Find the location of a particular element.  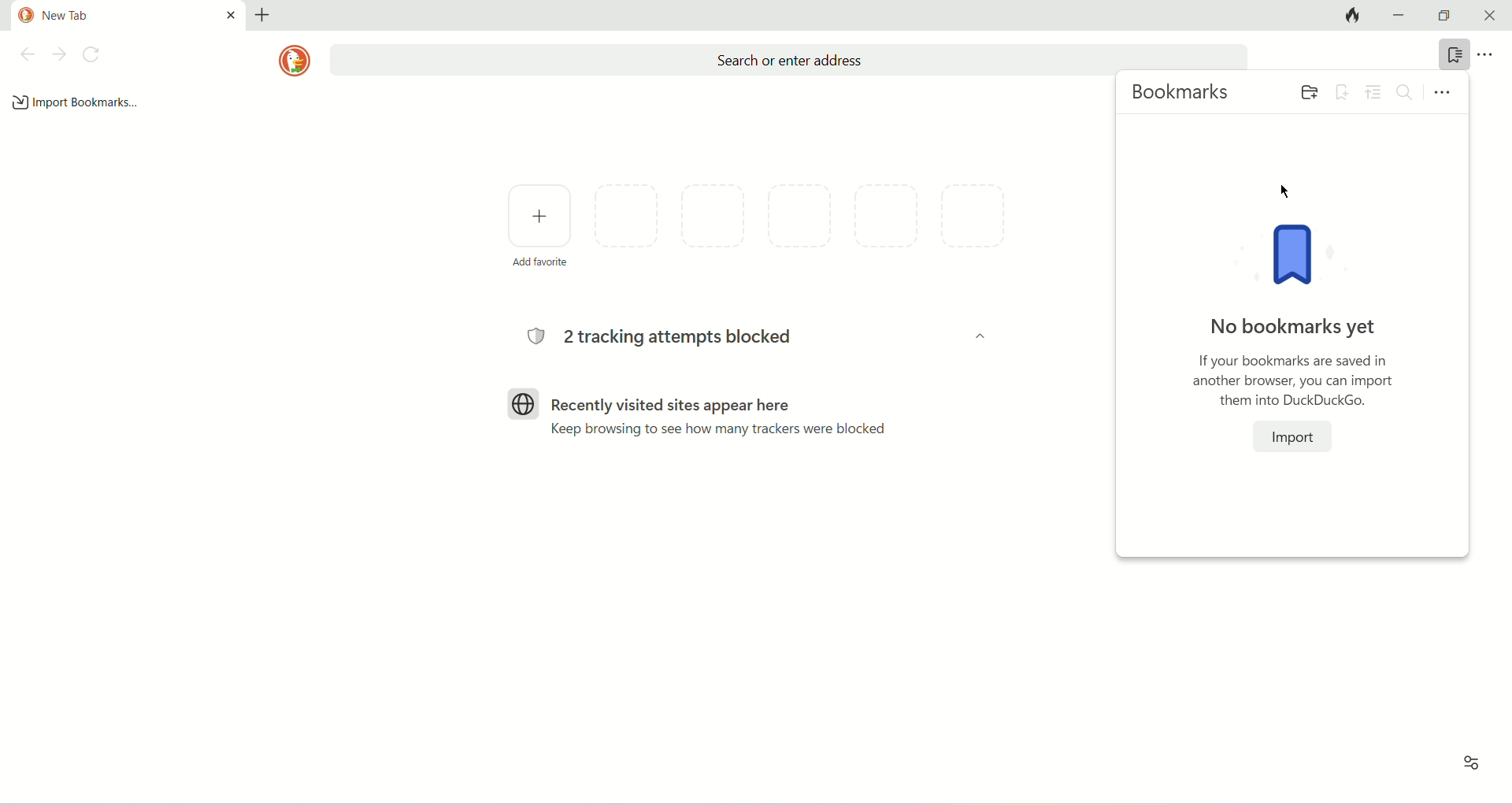

current tab is located at coordinates (129, 14).